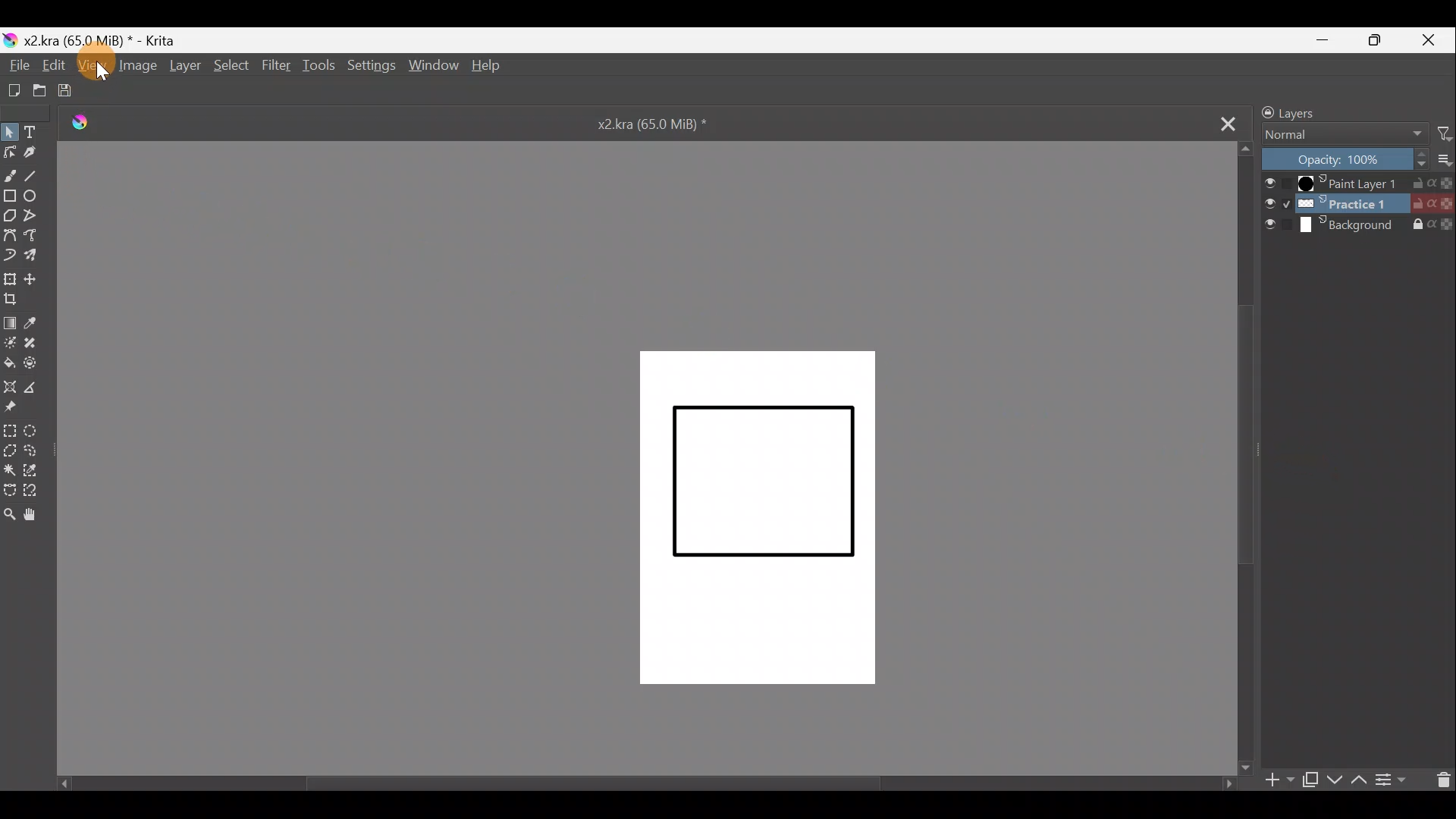 This screenshot has width=1456, height=819. I want to click on Move layer/mask up, so click(1361, 780).